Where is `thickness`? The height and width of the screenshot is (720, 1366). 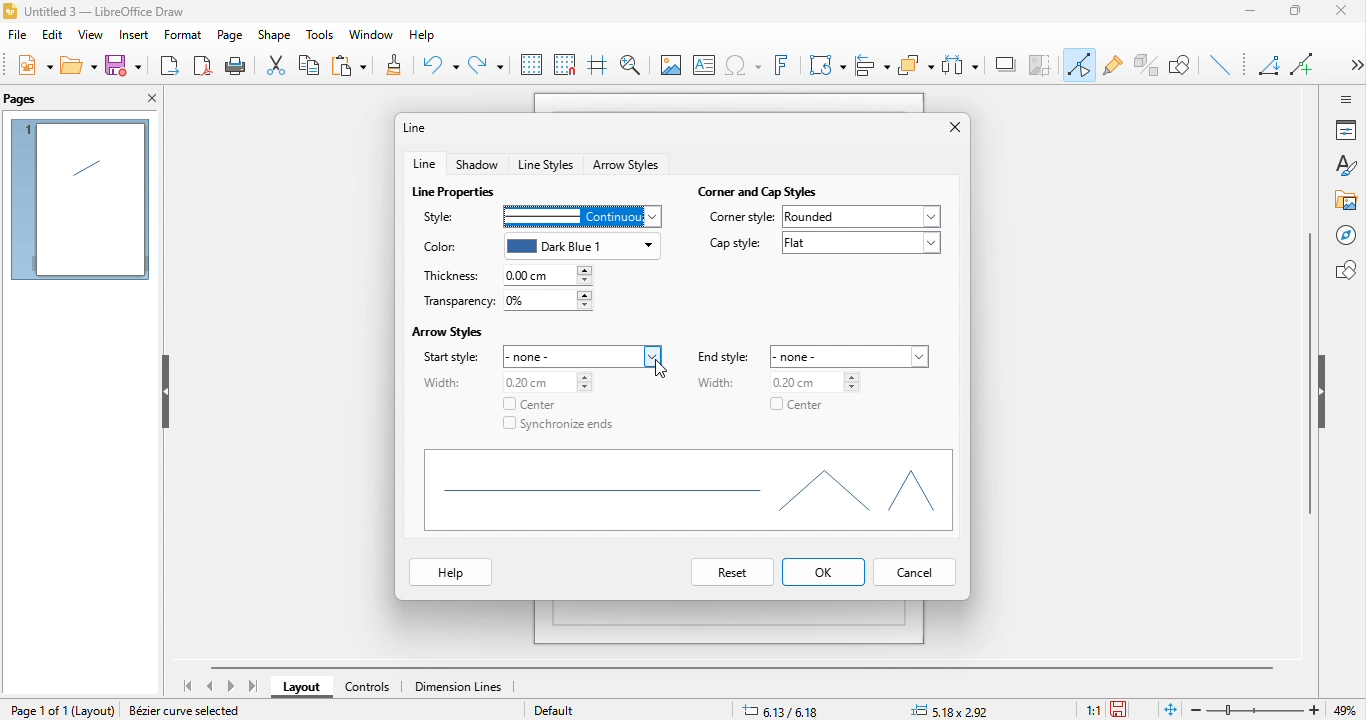
thickness is located at coordinates (456, 275).